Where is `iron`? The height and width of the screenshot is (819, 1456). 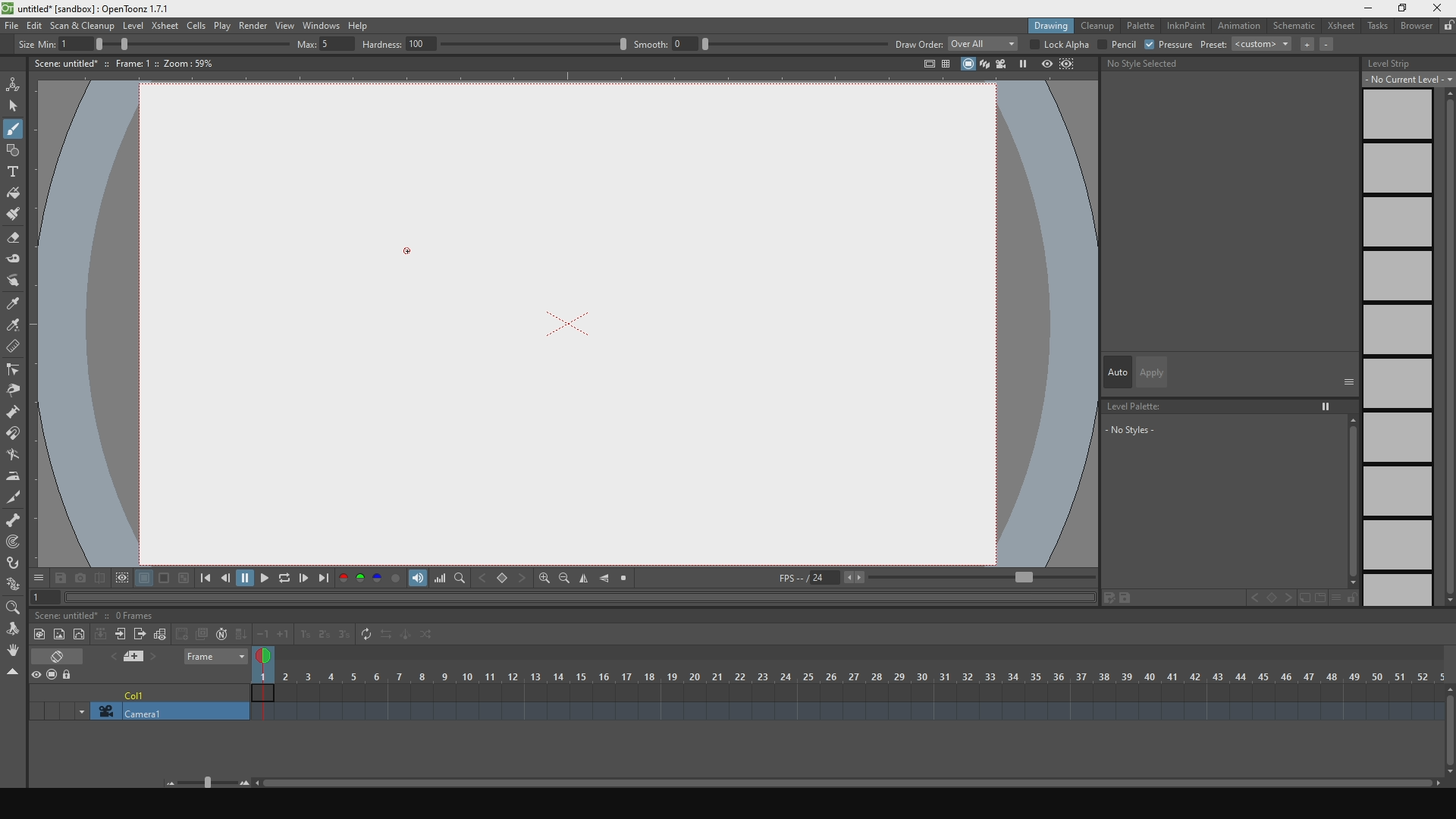
iron is located at coordinates (14, 476).